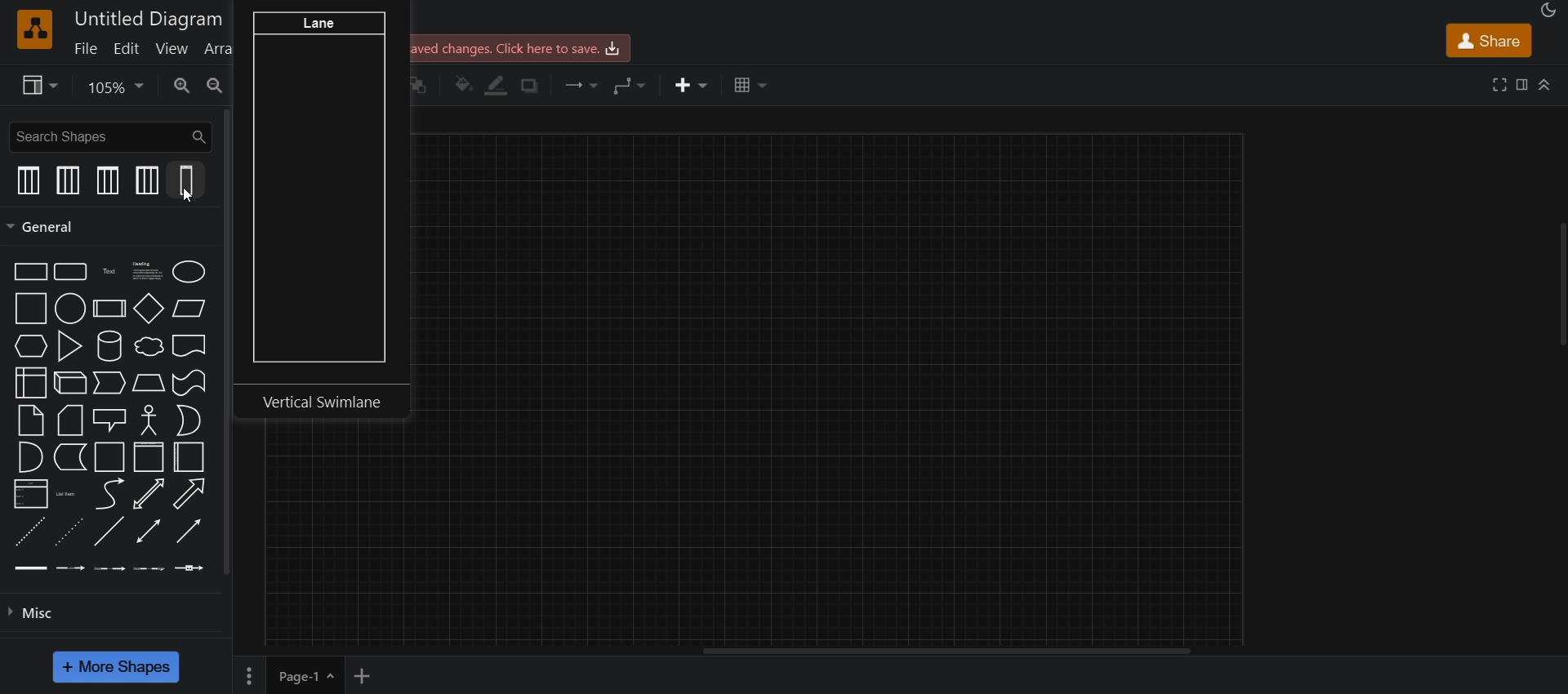 The height and width of the screenshot is (694, 1568). I want to click on list item, so click(69, 493).